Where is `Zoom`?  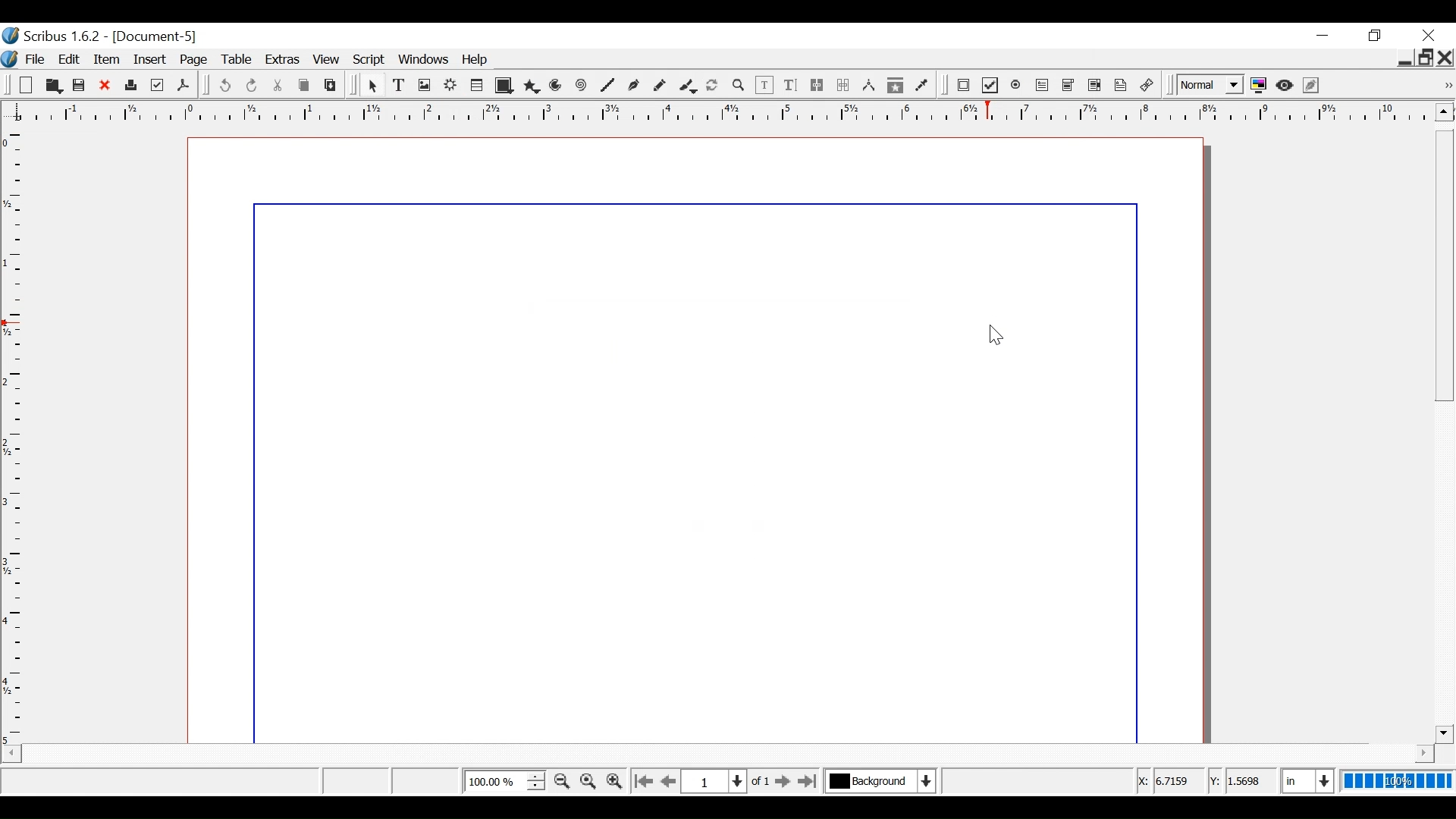 Zoom is located at coordinates (504, 780).